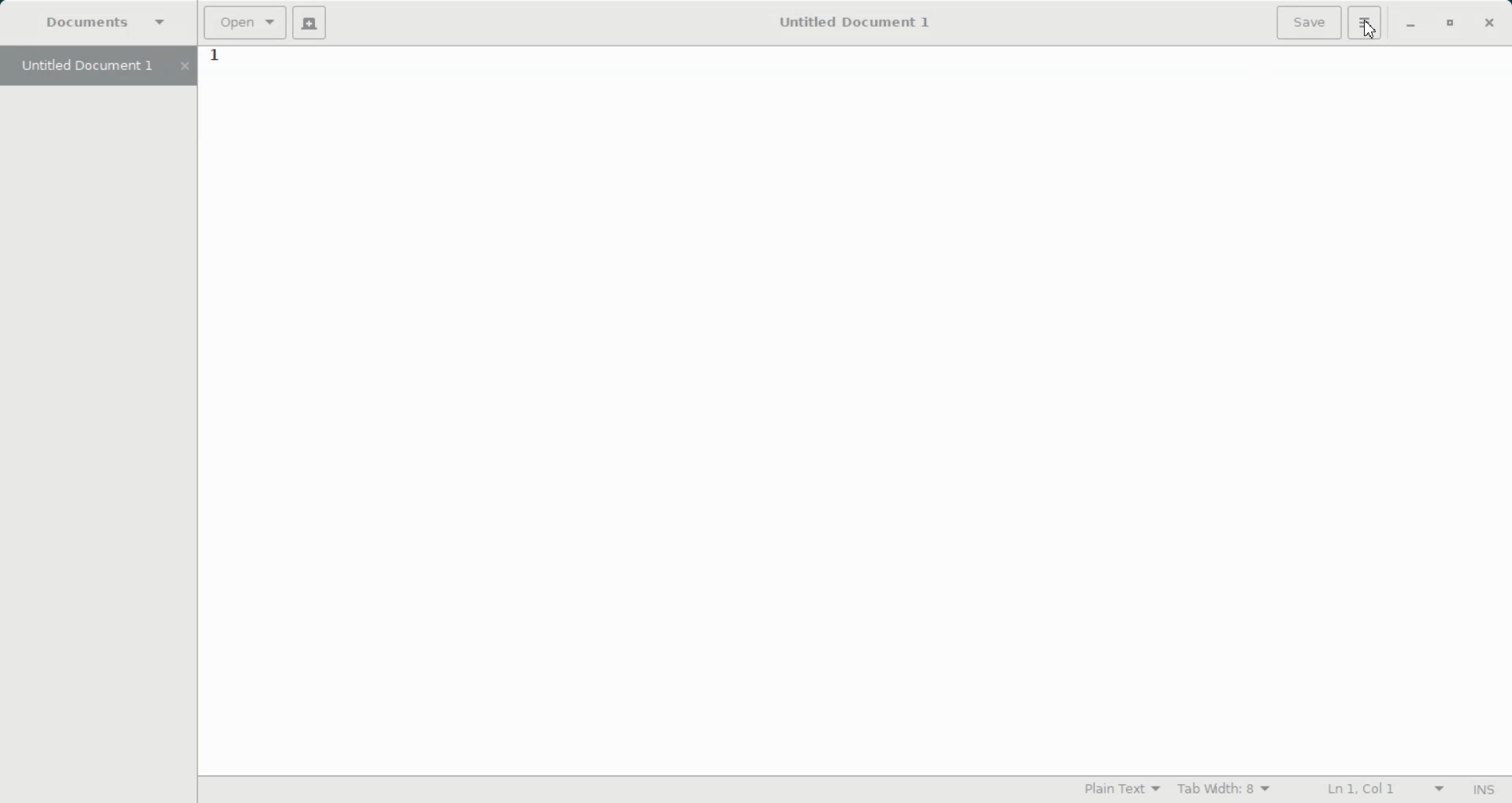 This screenshot has width=1512, height=803. Describe the element at coordinates (1451, 24) in the screenshot. I see `Maximize` at that location.